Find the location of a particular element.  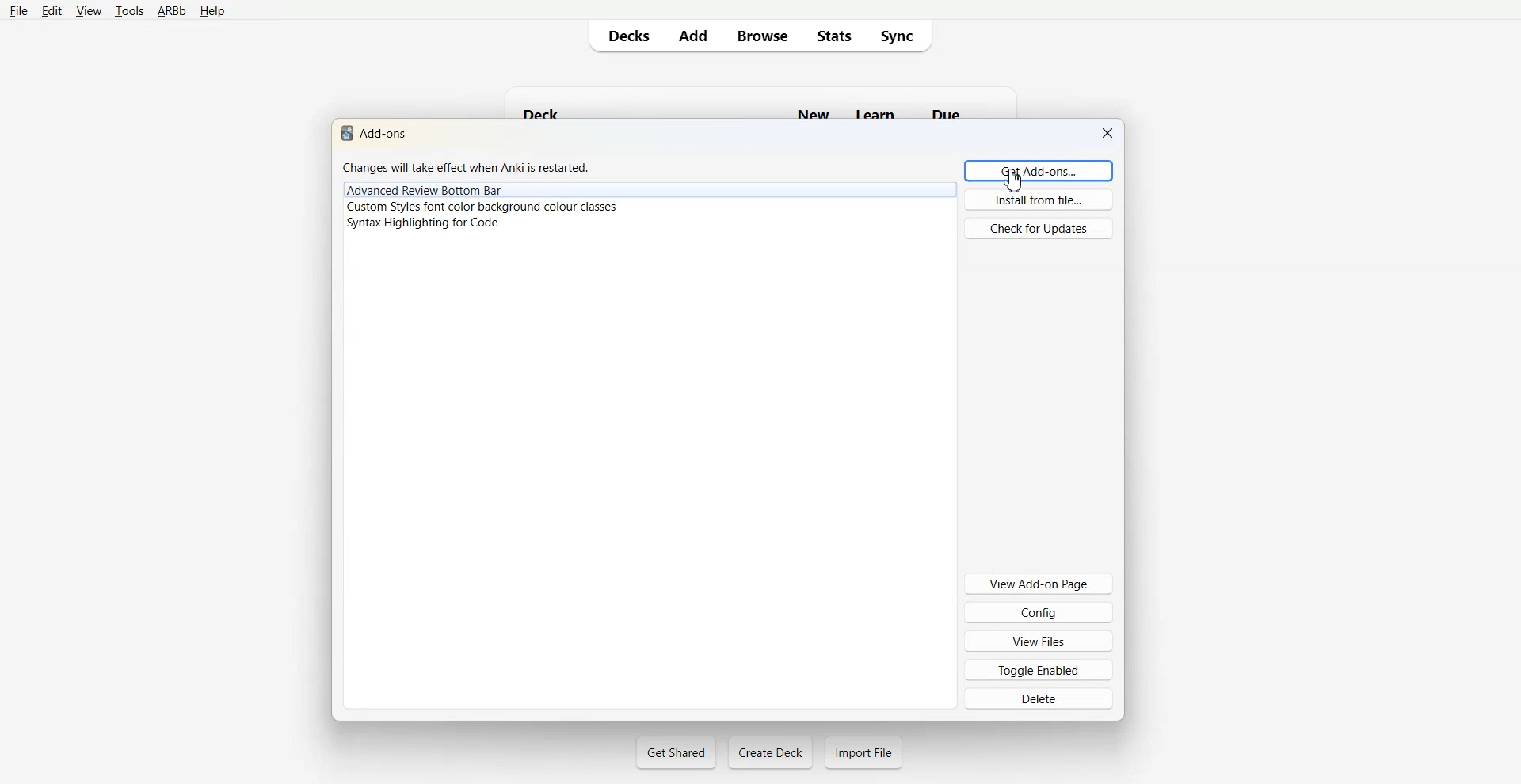

View Add-on Page is located at coordinates (1039, 582).